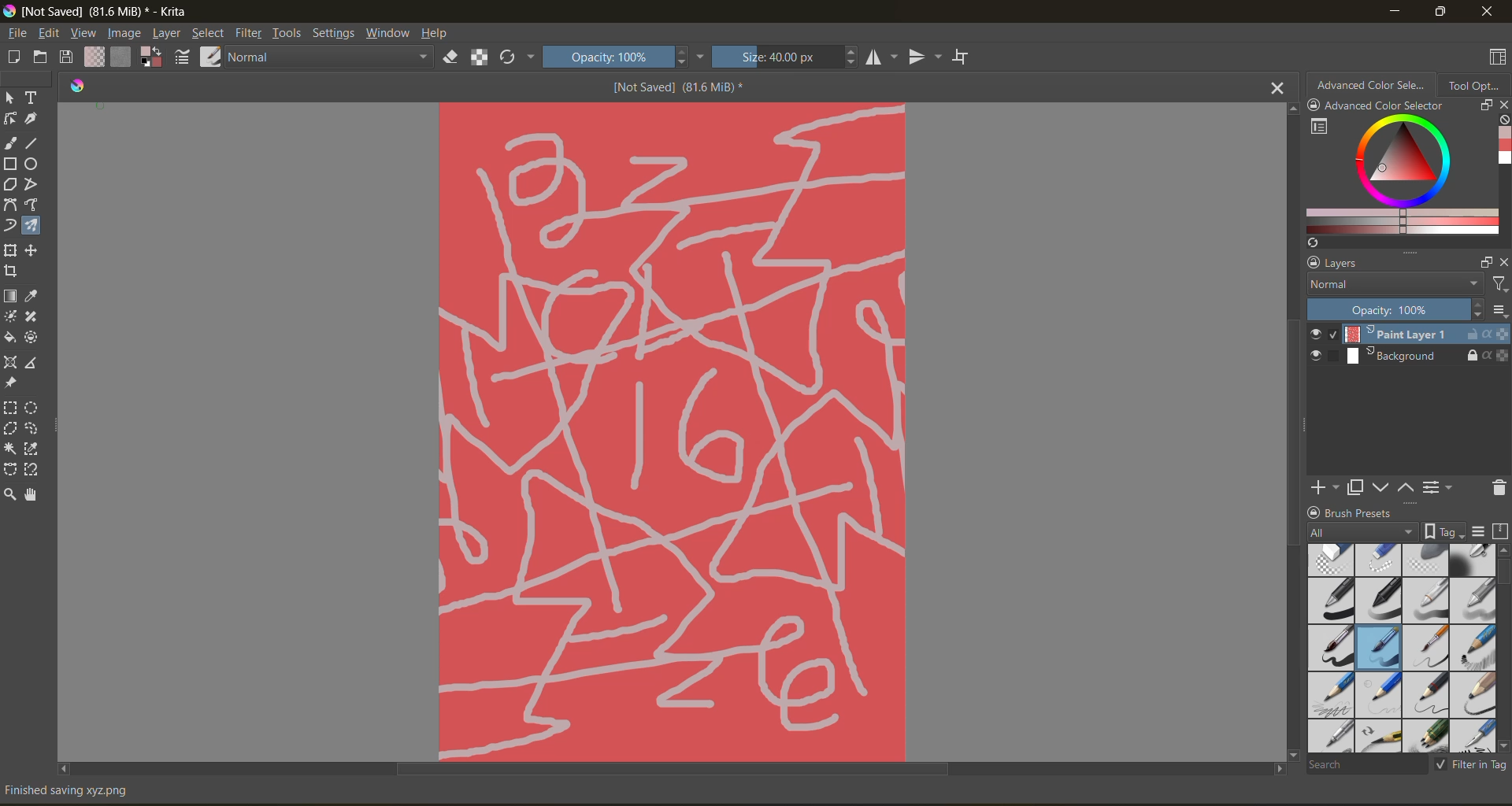 The width and height of the screenshot is (1512, 806). I want to click on Brush presets, so click(1366, 511).